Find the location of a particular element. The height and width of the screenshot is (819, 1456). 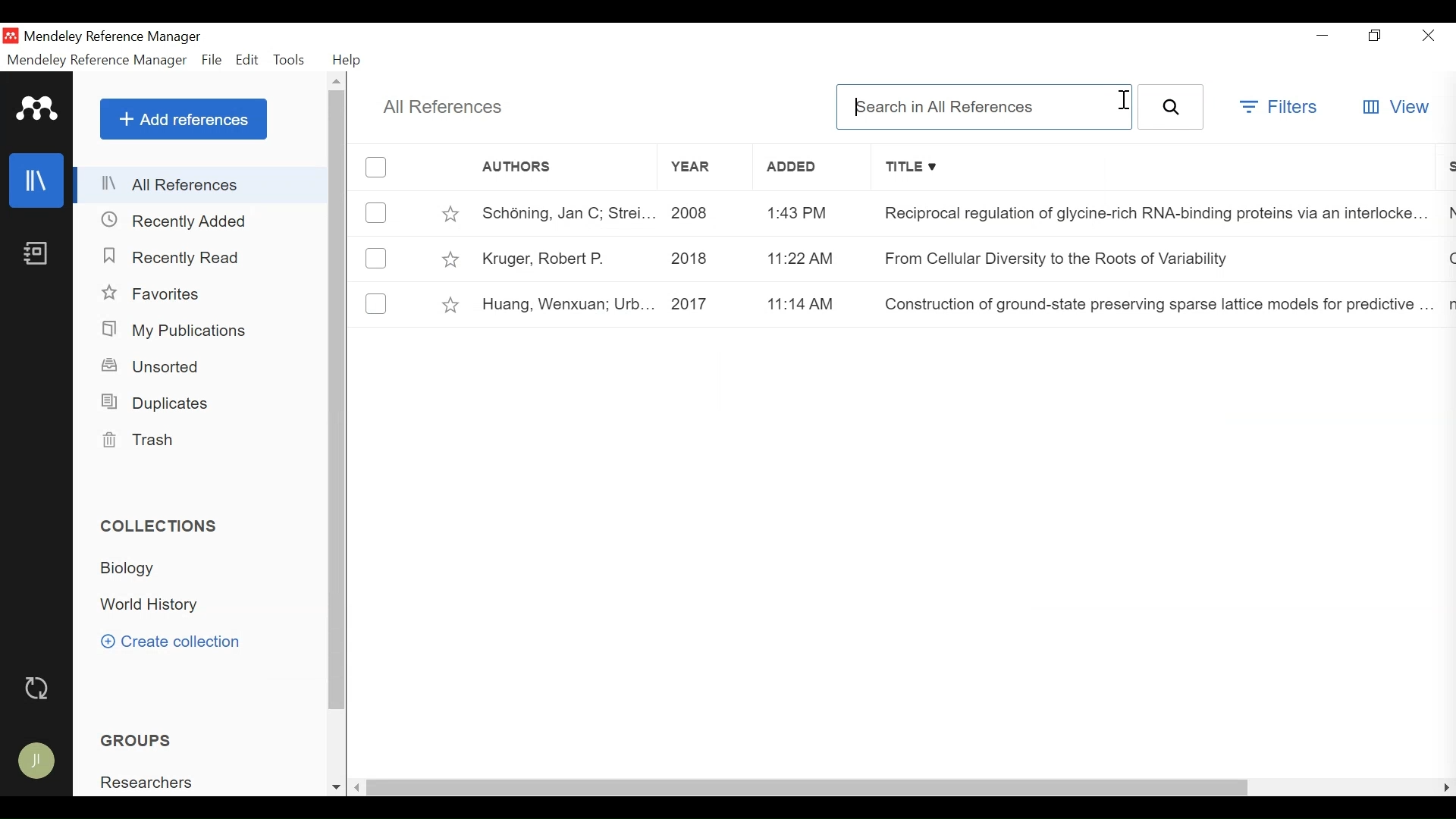

Toggle Favorites is located at coordinates (451, 259).